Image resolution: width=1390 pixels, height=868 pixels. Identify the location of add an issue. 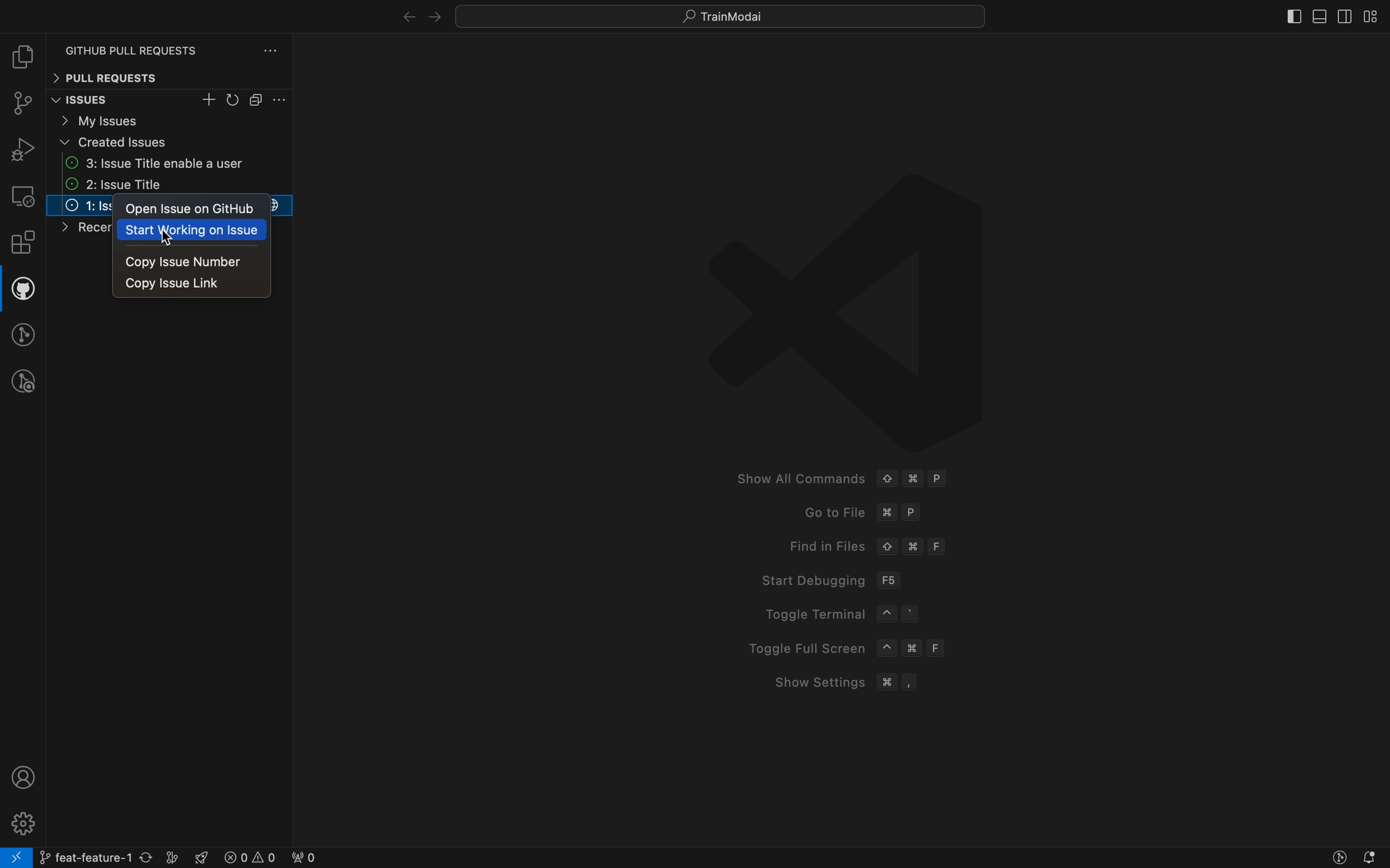
(210, 100).